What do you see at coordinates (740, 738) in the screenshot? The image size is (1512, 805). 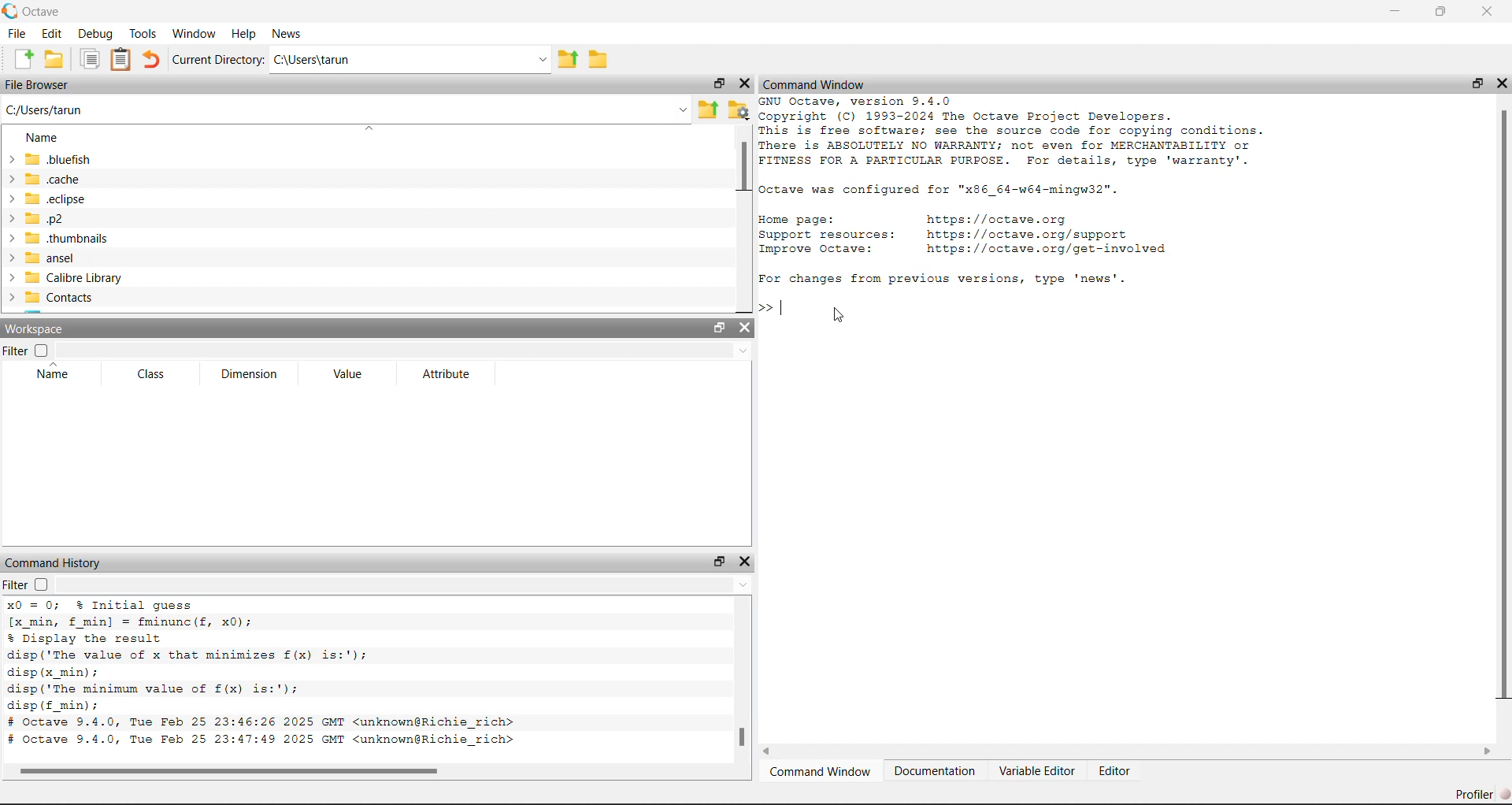 I see `Scrollbar` at bounding box center [740, 738].